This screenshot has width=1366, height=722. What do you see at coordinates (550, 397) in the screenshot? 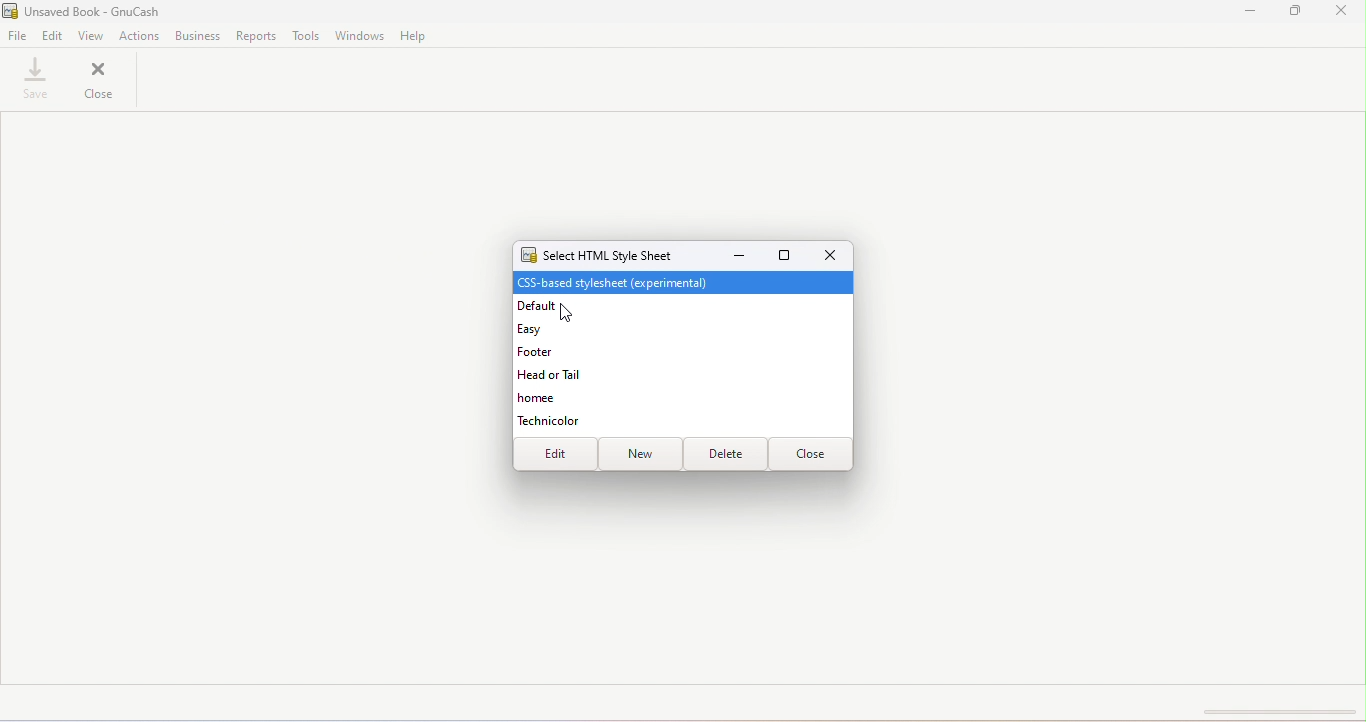
I see `Homee` at bounding box center [550, 397].